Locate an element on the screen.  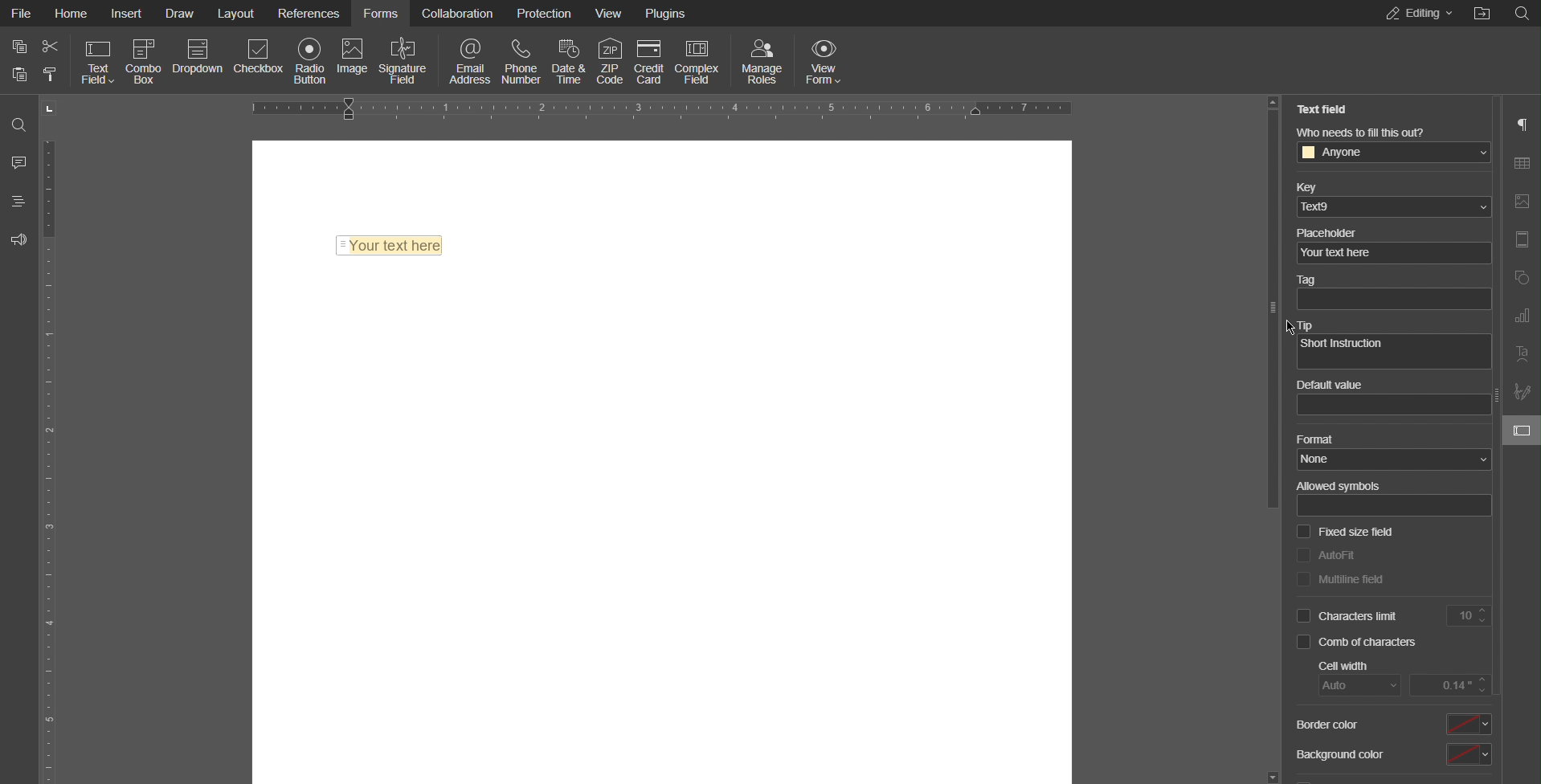
ted9 is located at coordinates (1395, 209).